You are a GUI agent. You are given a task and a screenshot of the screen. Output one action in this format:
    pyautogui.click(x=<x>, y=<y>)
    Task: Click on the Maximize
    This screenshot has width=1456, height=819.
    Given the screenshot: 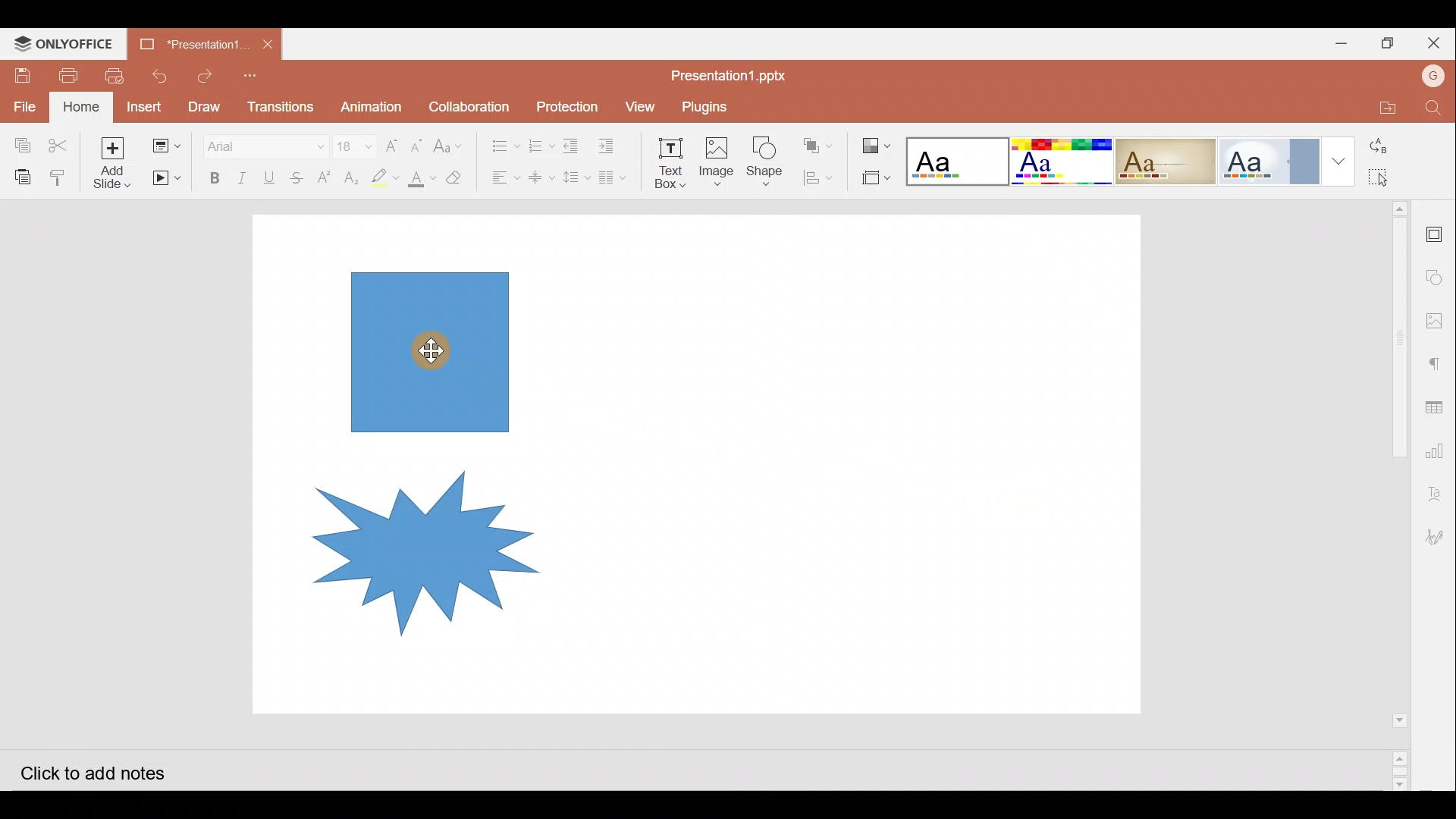 What is the action you would take?
    pyautogui.click(x=1389, y=42)
    